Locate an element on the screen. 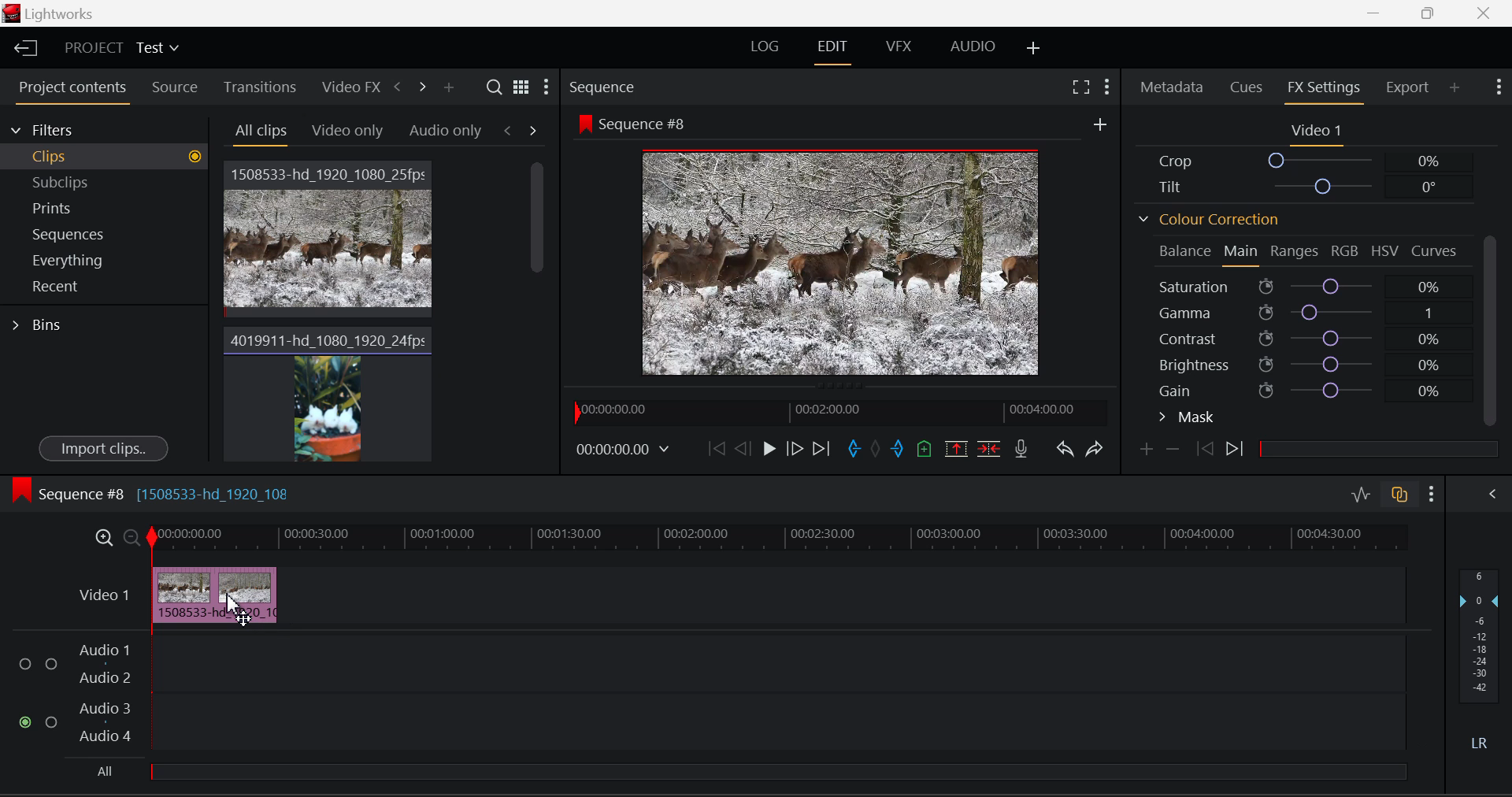 The width and height of the screenshot is (1512, 797). Go Forward is located at coordinates (798, 449).